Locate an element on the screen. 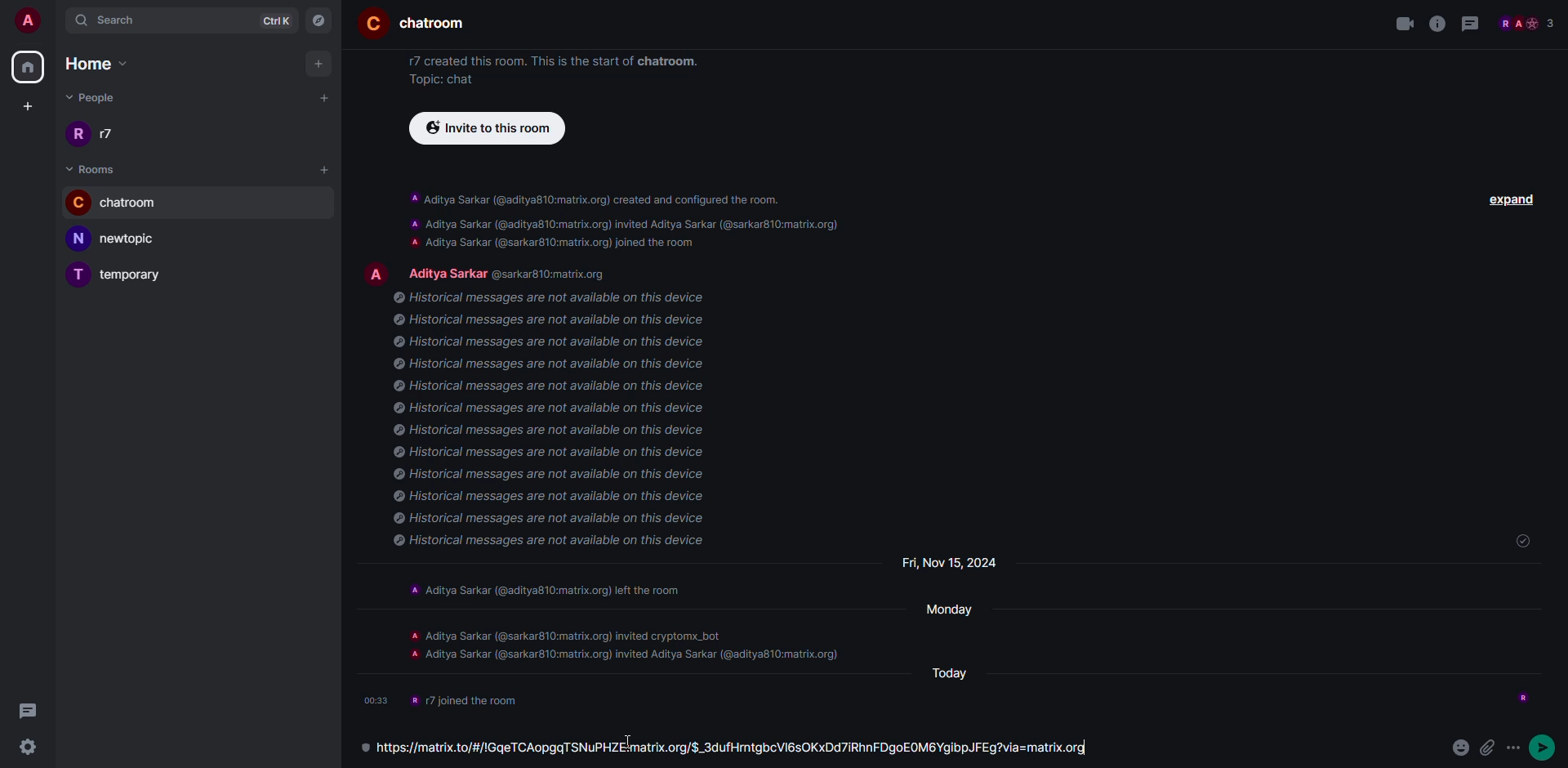 The image size is (1568, 768). people is located at coordinates (1527, 23).